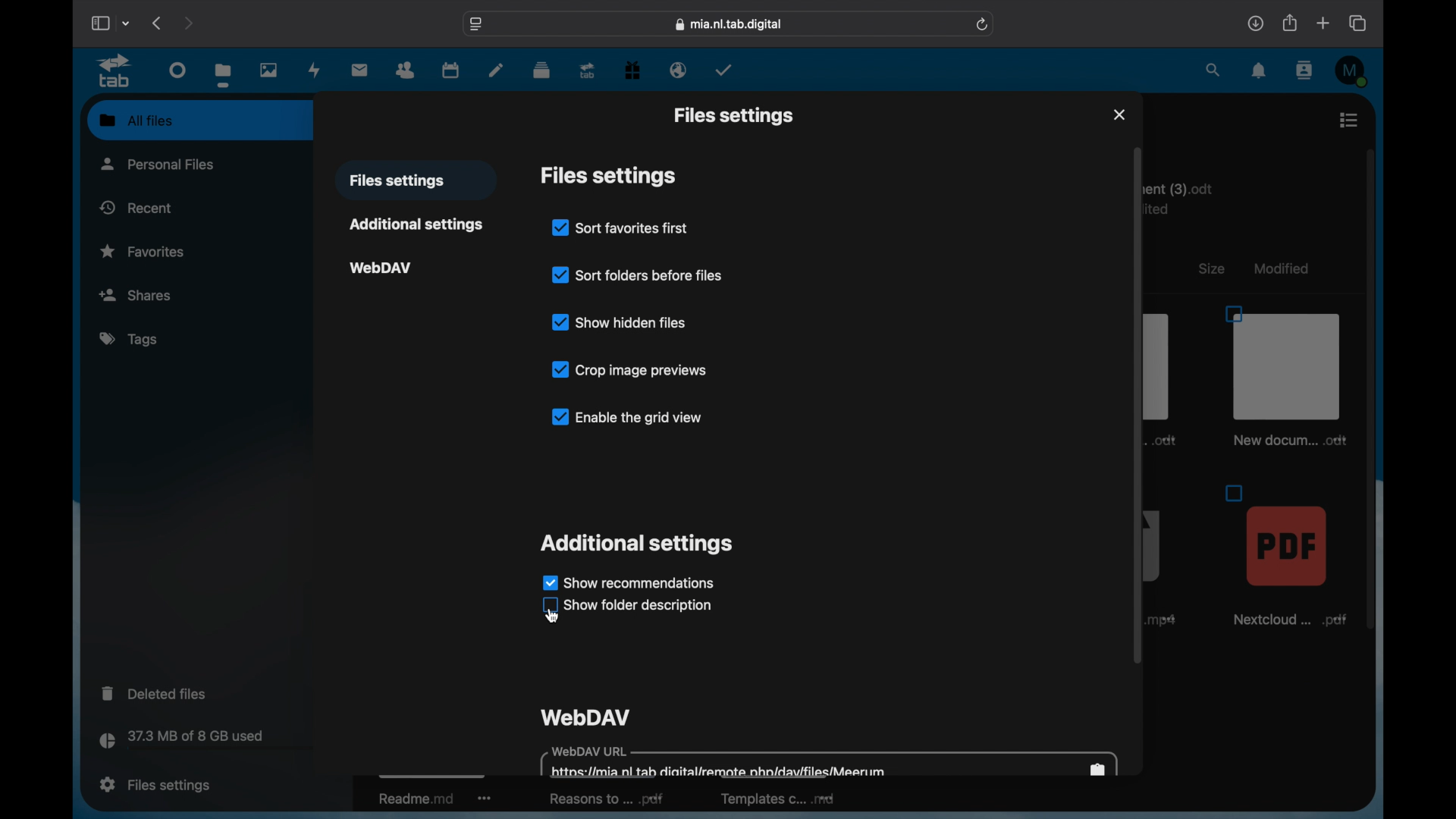  Describe the element at coordinates (1323, 23) in the screenshot. I see `new tab` at that location.